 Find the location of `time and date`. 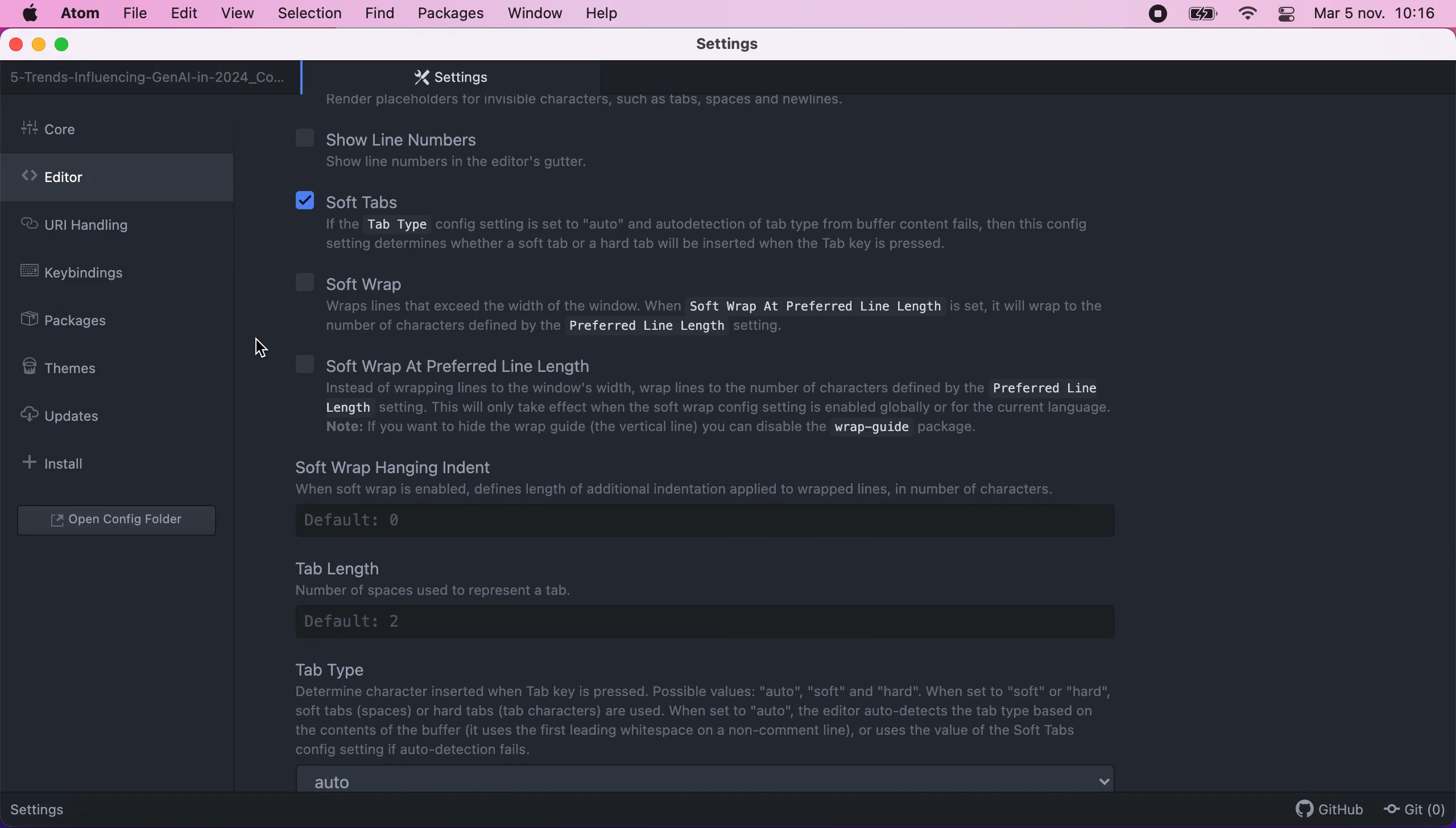

time and date is located at coordinates (1378, 16).